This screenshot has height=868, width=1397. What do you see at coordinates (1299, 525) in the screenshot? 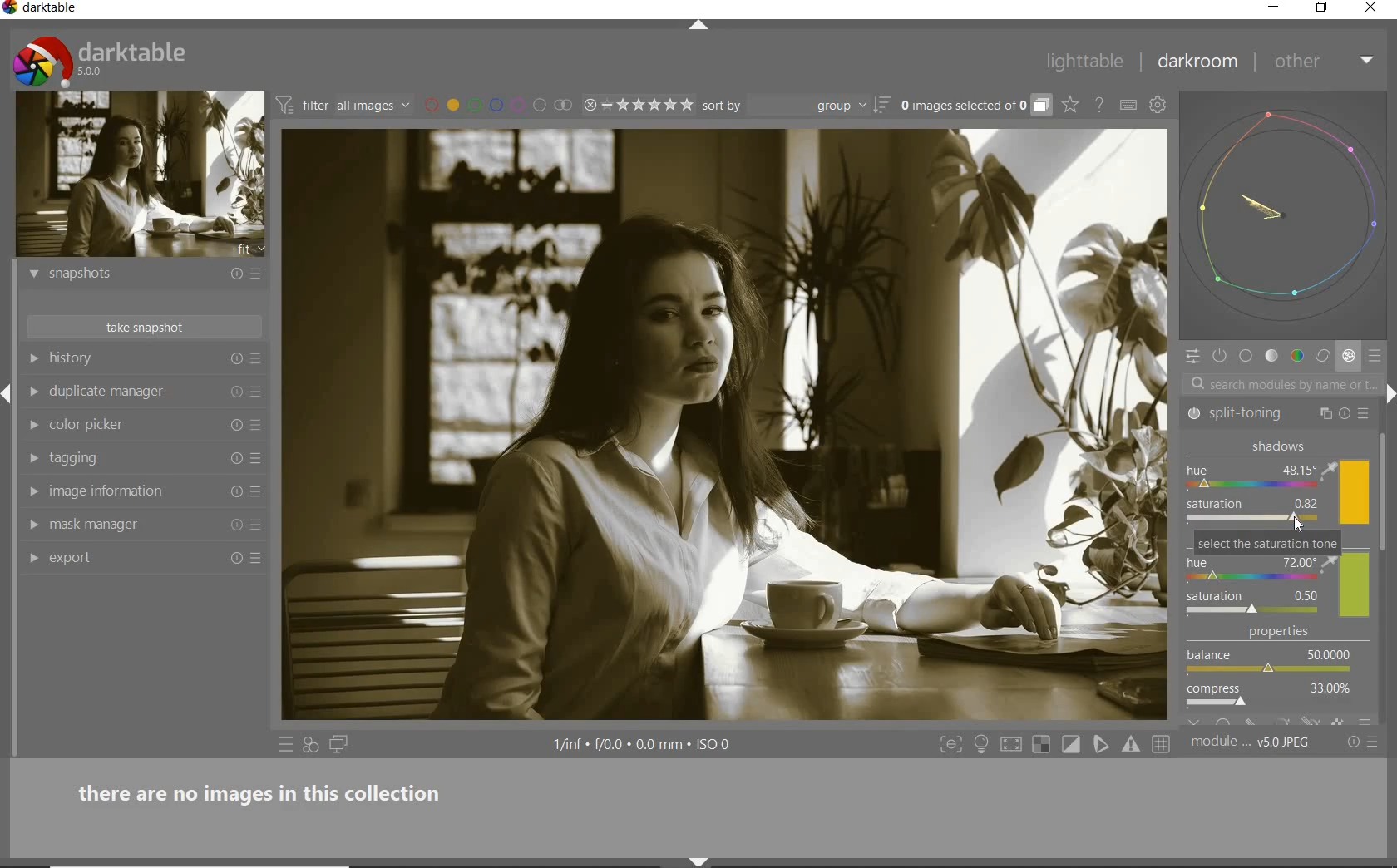
I see `cursor position` at bounding box center [1299, 525].